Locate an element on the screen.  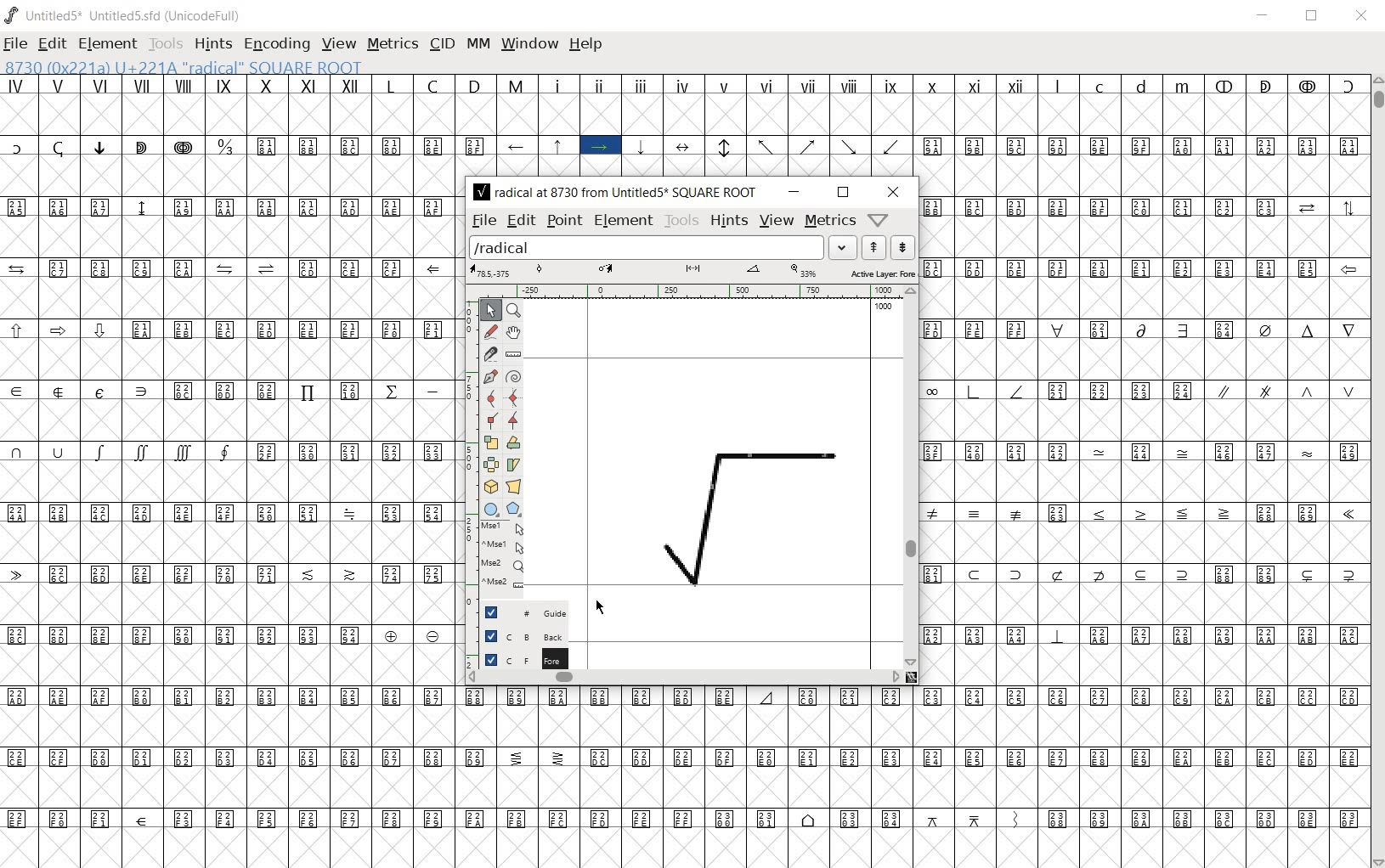
change whether spiro is active or not is located at coordinates (515, 376).